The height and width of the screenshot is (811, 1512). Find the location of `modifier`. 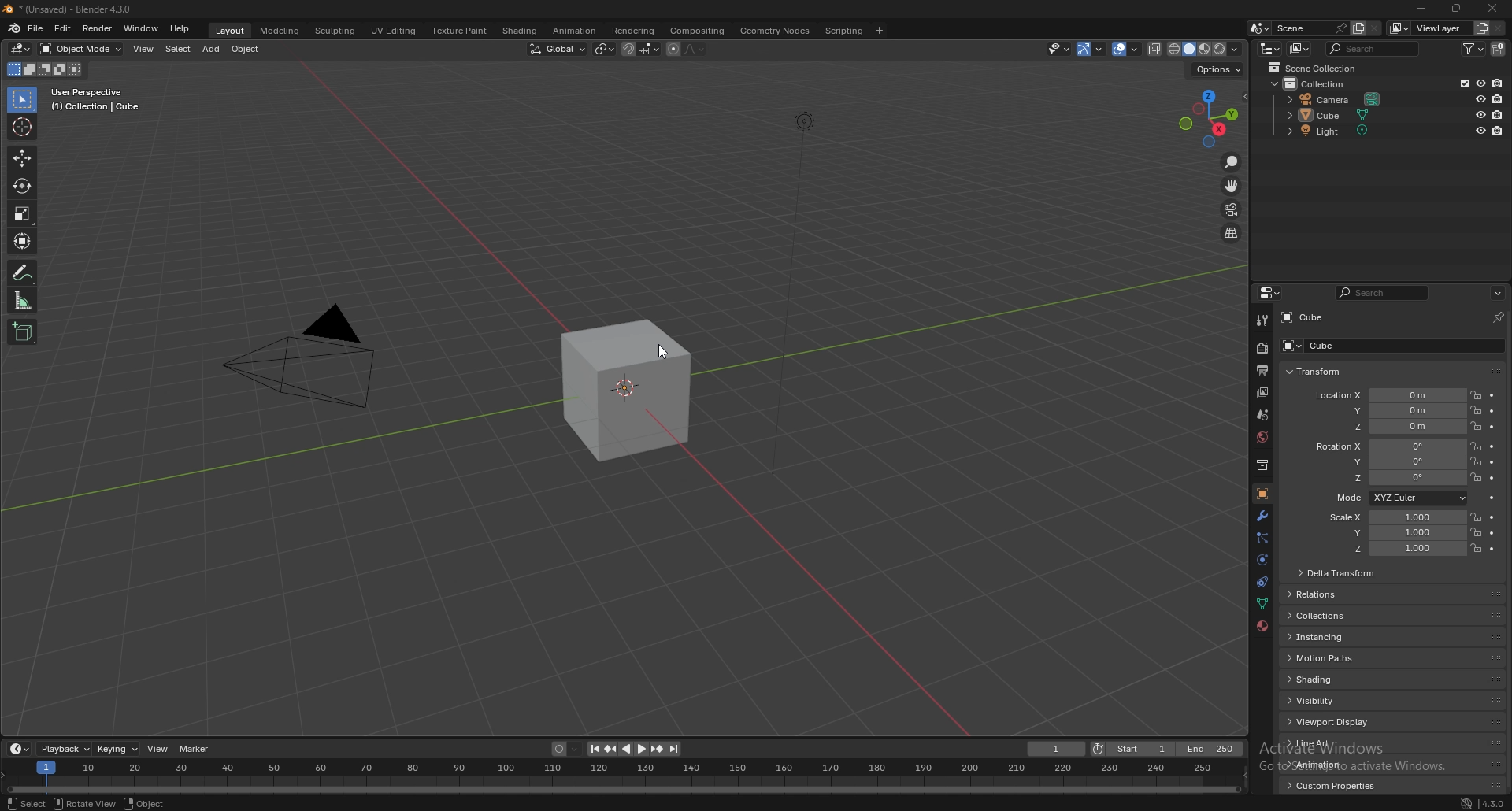

modifier is located at coordinates (1264, 515).